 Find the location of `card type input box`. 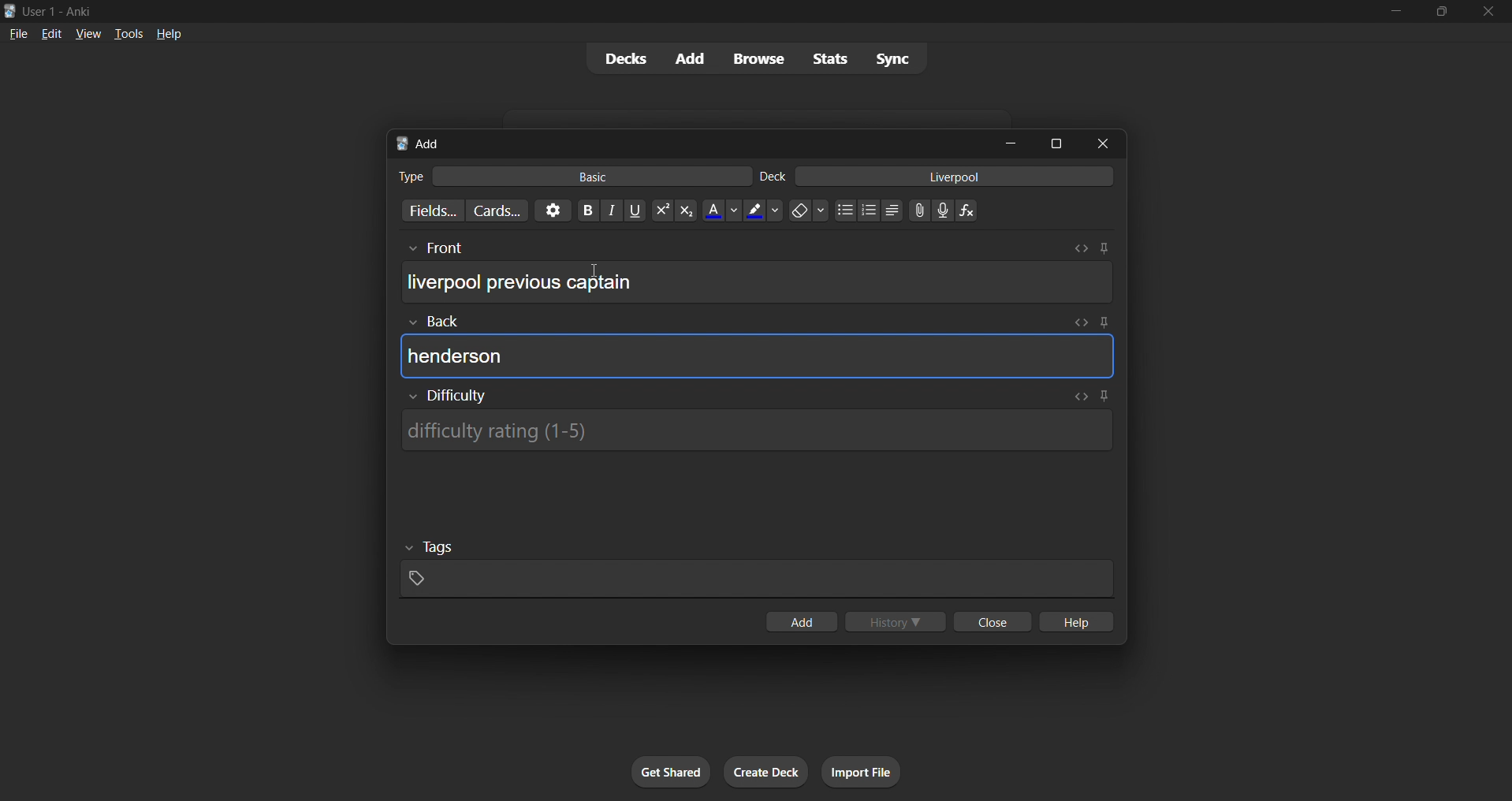

card type input box is located at coordinates (565, 173).